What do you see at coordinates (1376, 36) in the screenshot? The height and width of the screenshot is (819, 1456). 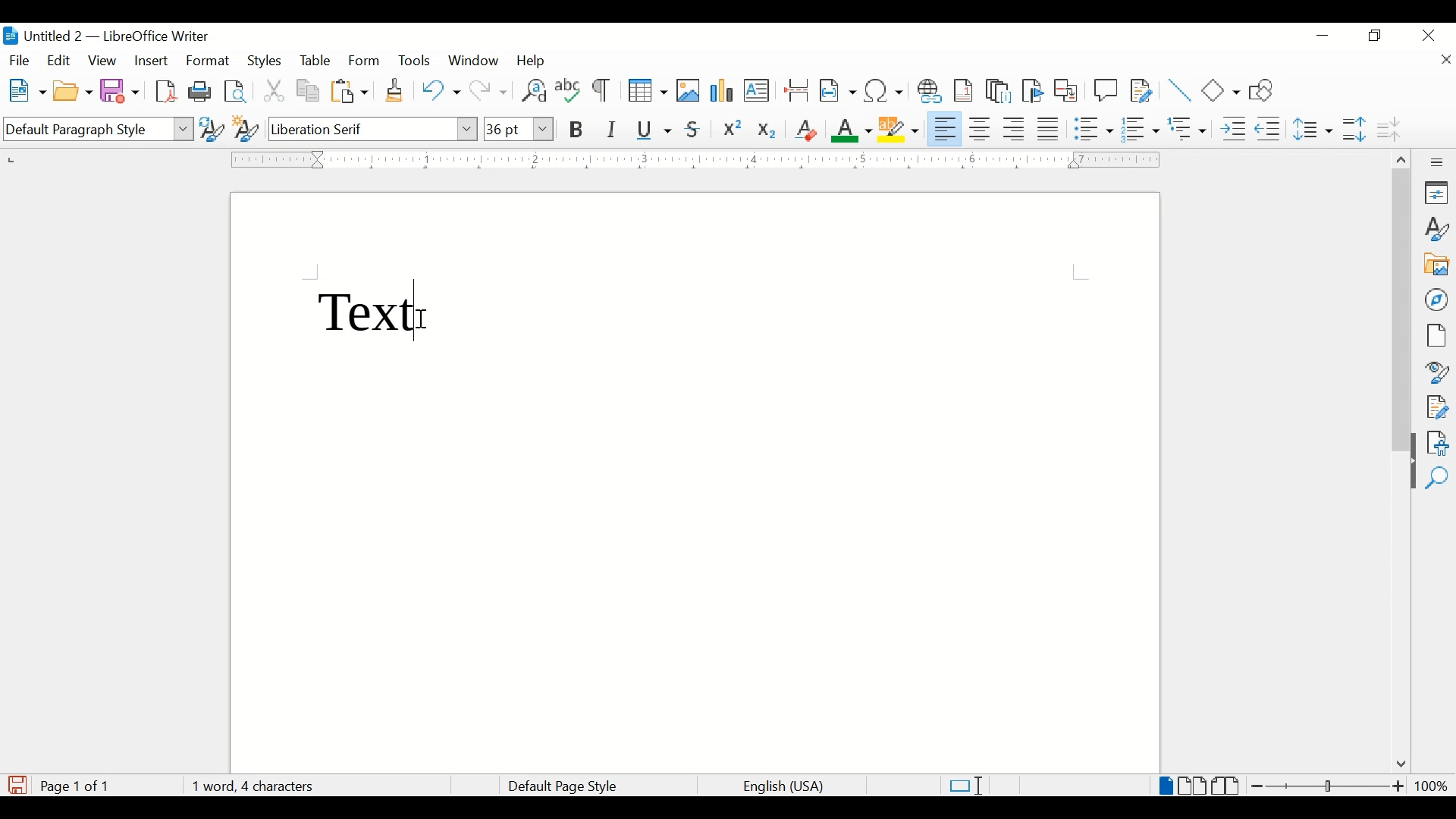 I see `restore down` at bounding box center [1376, 36].